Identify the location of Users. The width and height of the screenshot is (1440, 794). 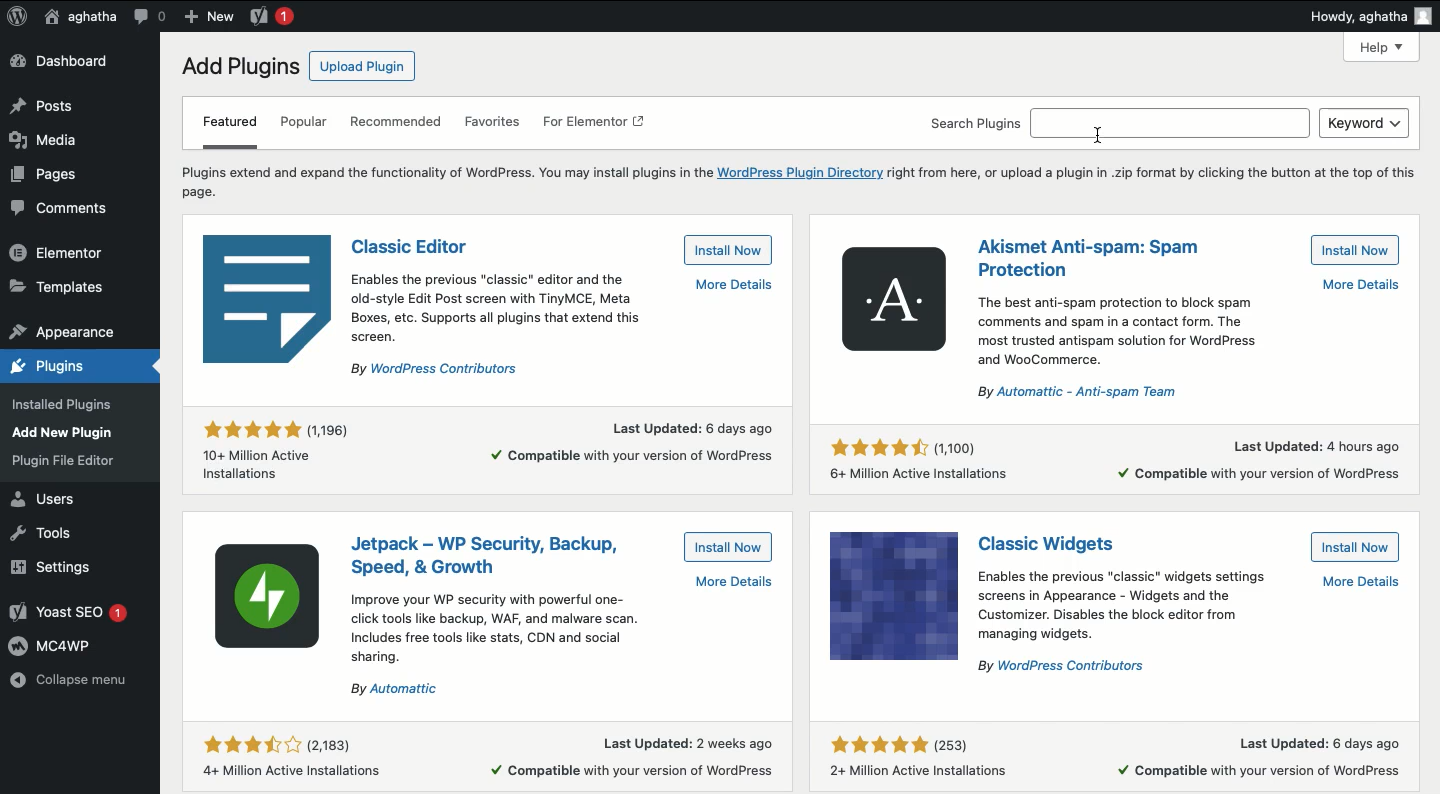
(50, 498).